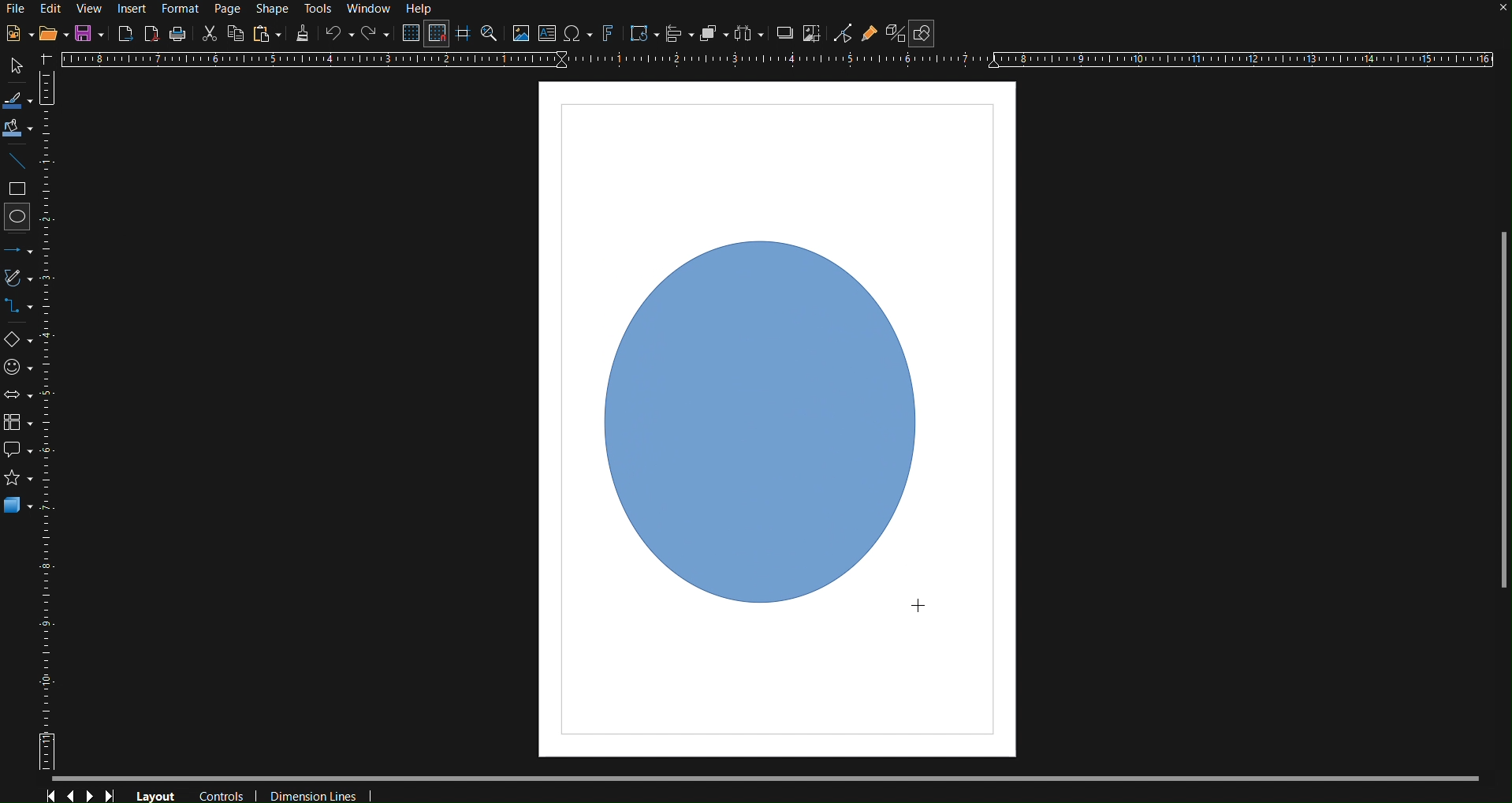  What do you see at coordinates (870, 35) in the screenshot?
I see `Show Gluepoint Functions` at bounding box center [870, 35].